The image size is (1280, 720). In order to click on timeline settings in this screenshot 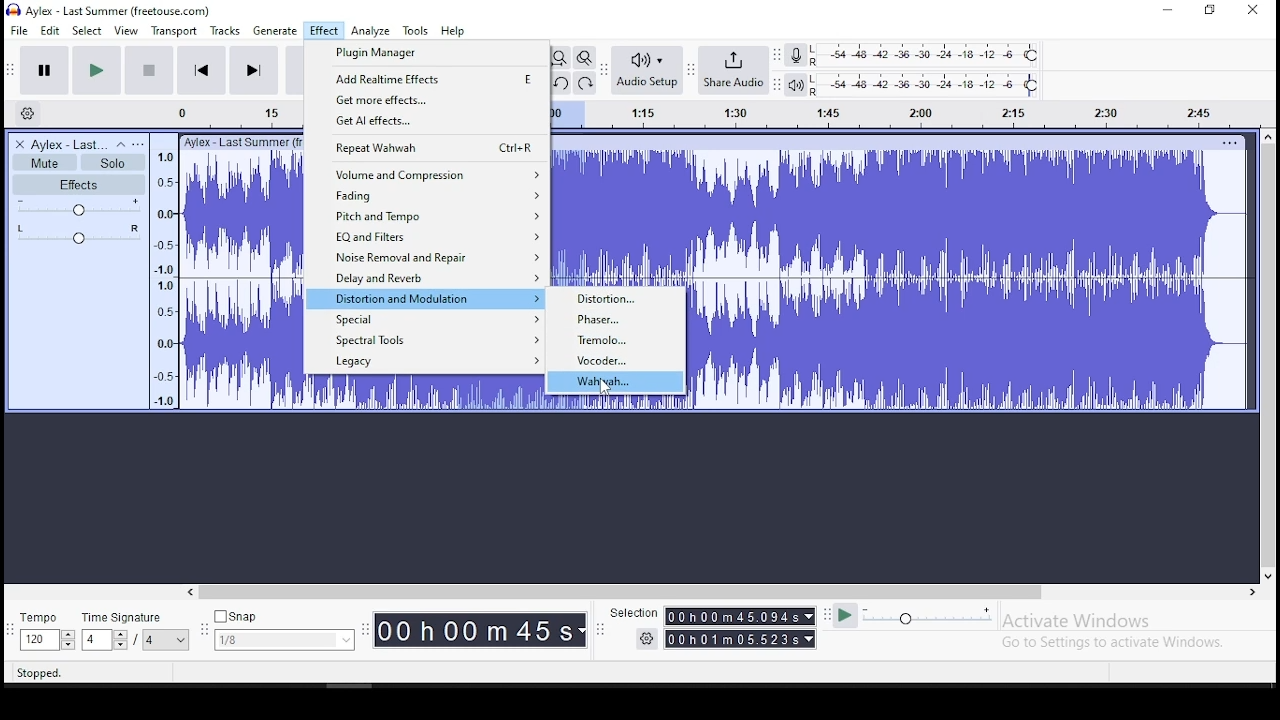, I will do `click(28, 112)`.